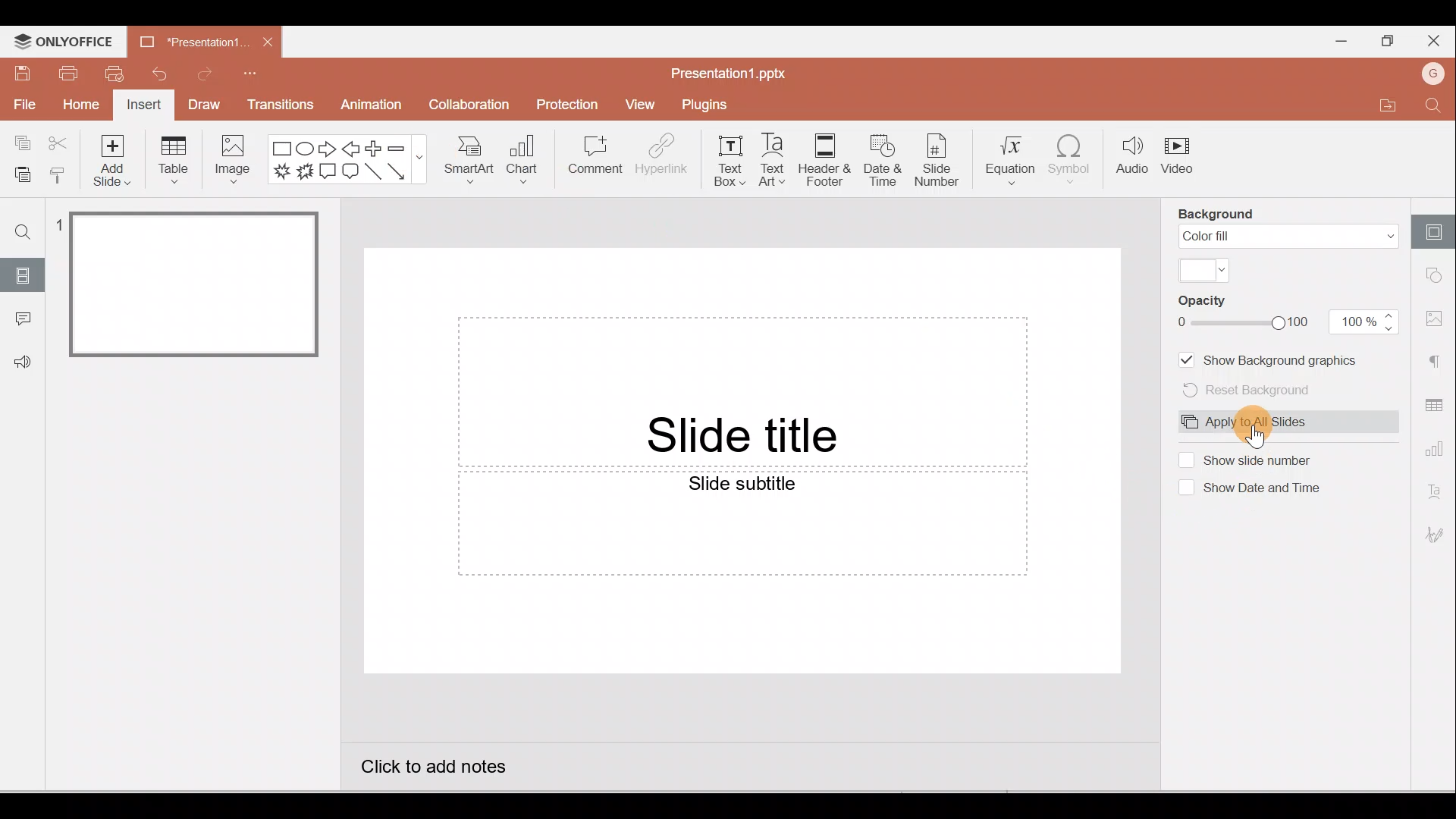 The width and height of the screenshot is (1456, 819). What do you see at coordinates (640, 105) in the screenshot?
I see `View` at bounding box center [640, 105].